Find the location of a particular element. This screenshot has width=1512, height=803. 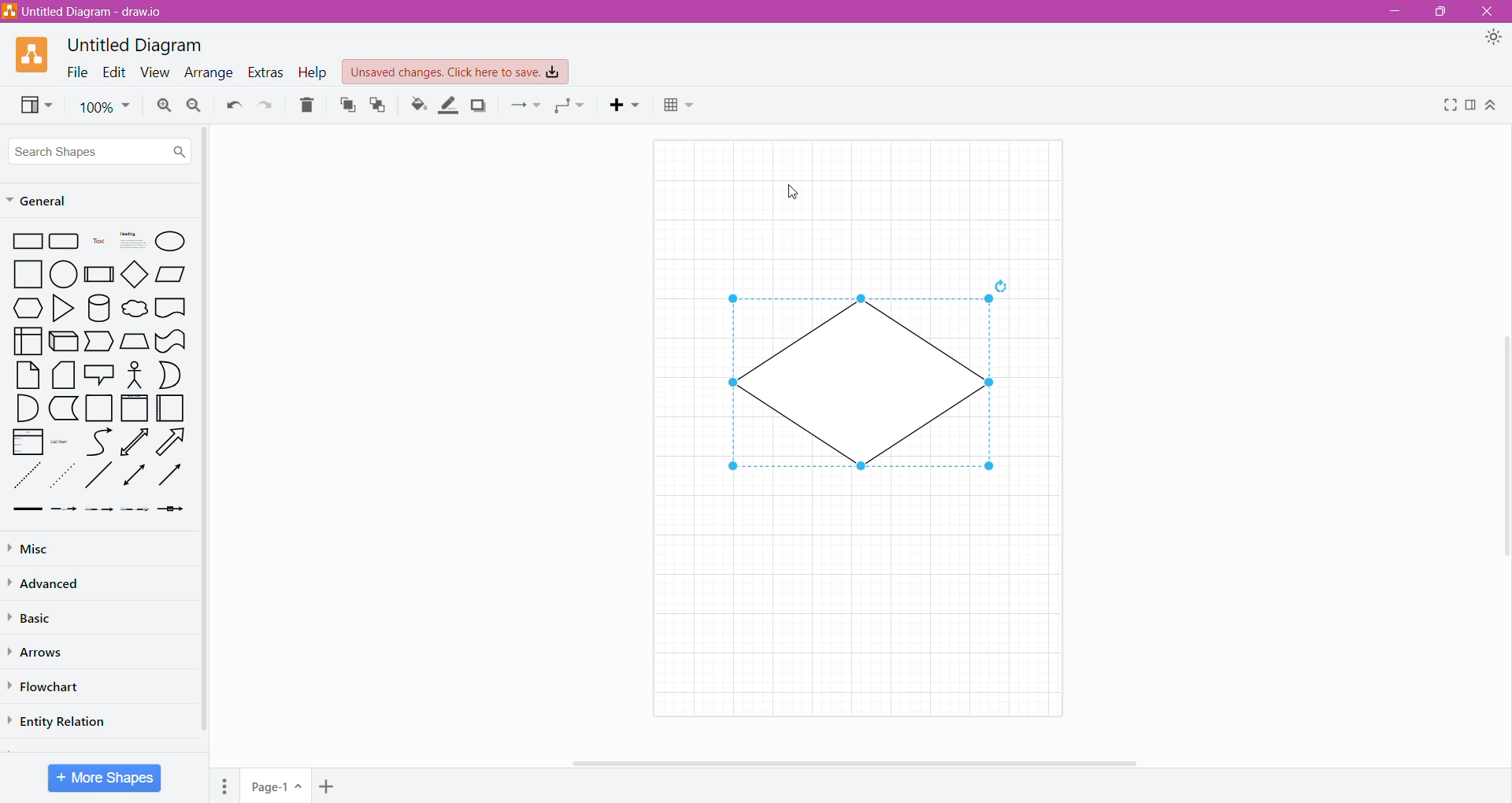

Ellipse is located at coordinates (171, 241).